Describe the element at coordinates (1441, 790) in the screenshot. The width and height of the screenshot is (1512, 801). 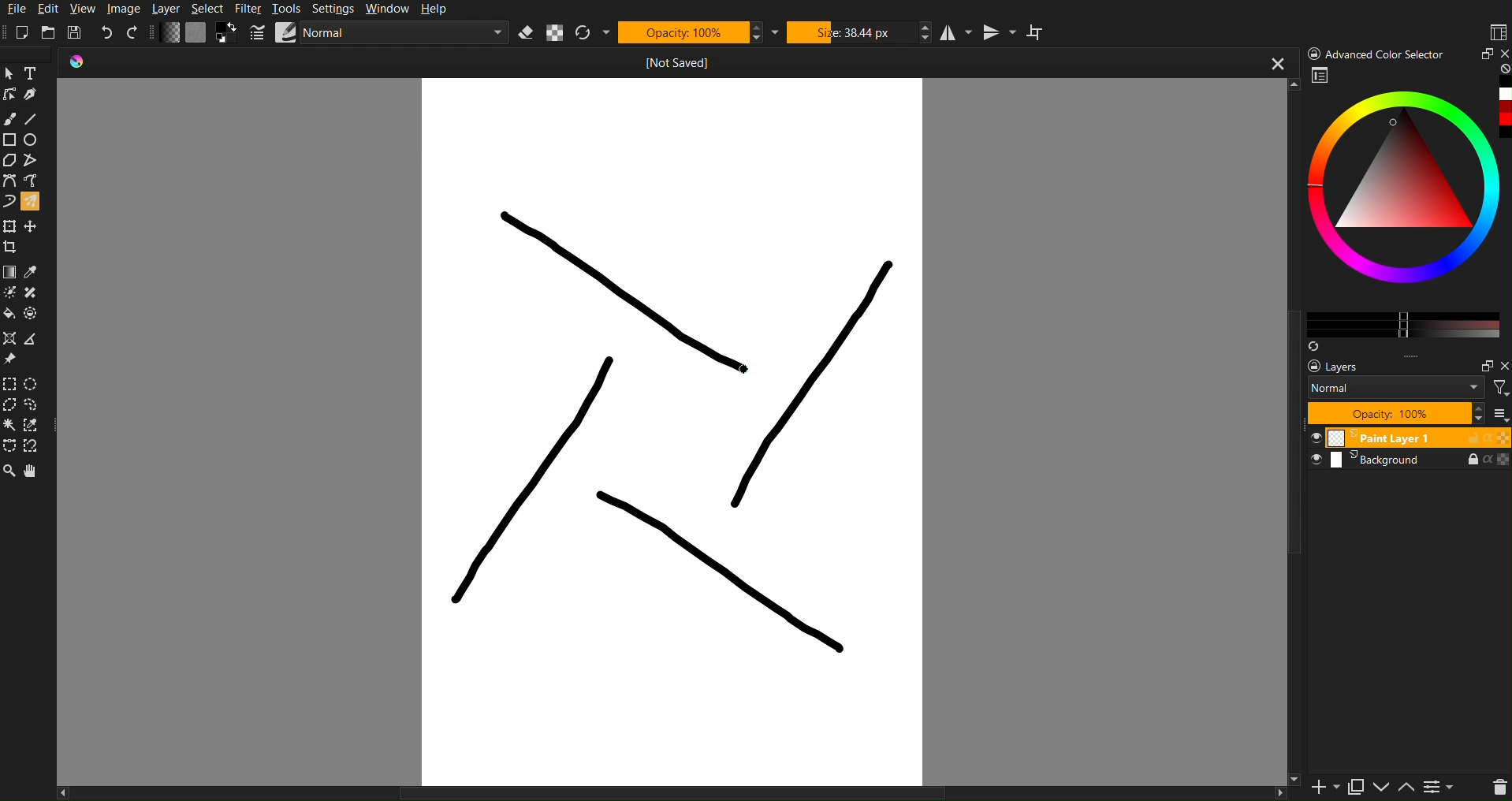
I see `contrast` at that location.